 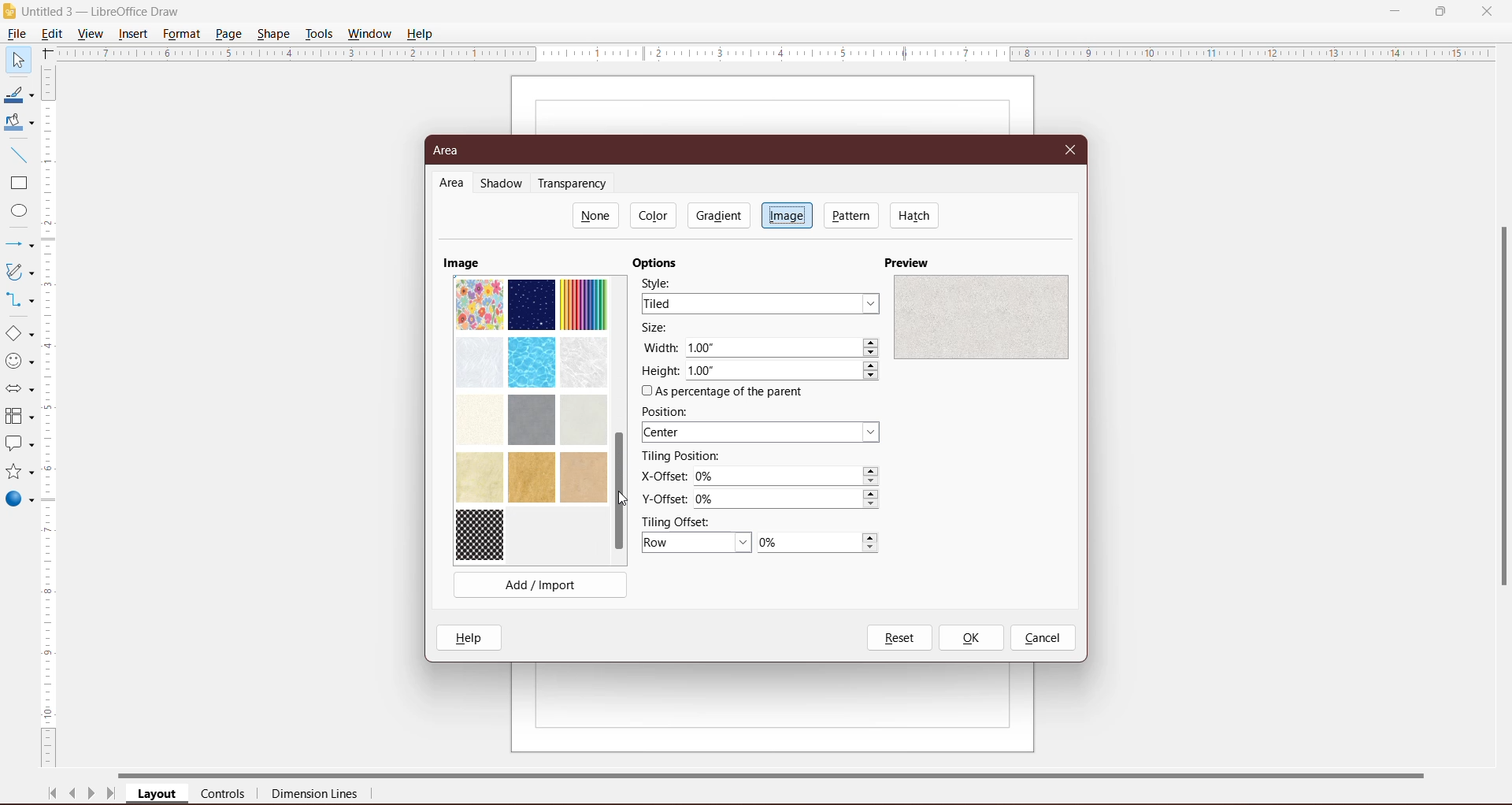 I want to click on Set Tiling Offest, so click(x=697, y=543).